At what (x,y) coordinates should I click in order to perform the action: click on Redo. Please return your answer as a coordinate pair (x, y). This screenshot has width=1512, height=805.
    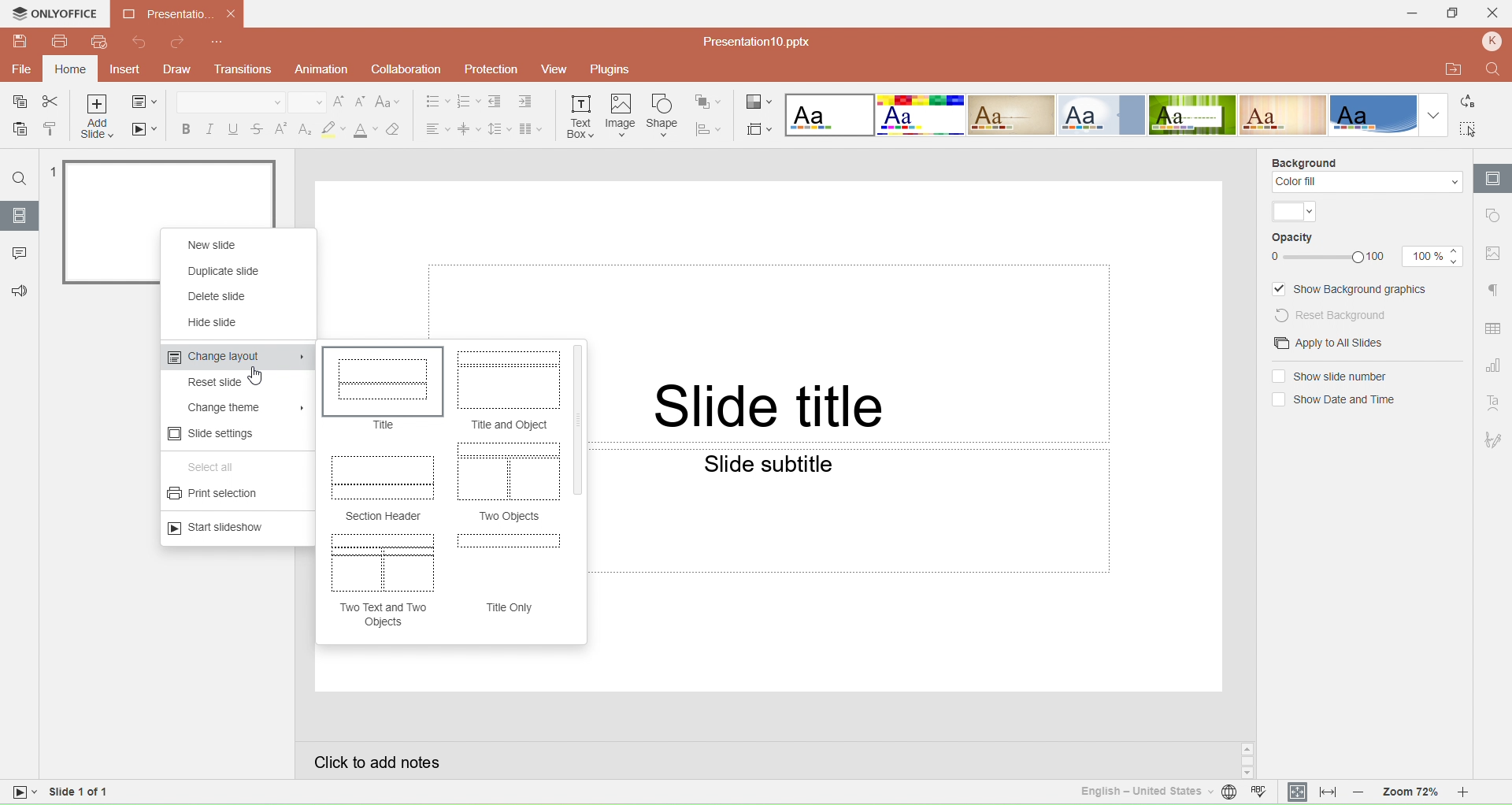
    Looking at the image, I should click on (178, 43).